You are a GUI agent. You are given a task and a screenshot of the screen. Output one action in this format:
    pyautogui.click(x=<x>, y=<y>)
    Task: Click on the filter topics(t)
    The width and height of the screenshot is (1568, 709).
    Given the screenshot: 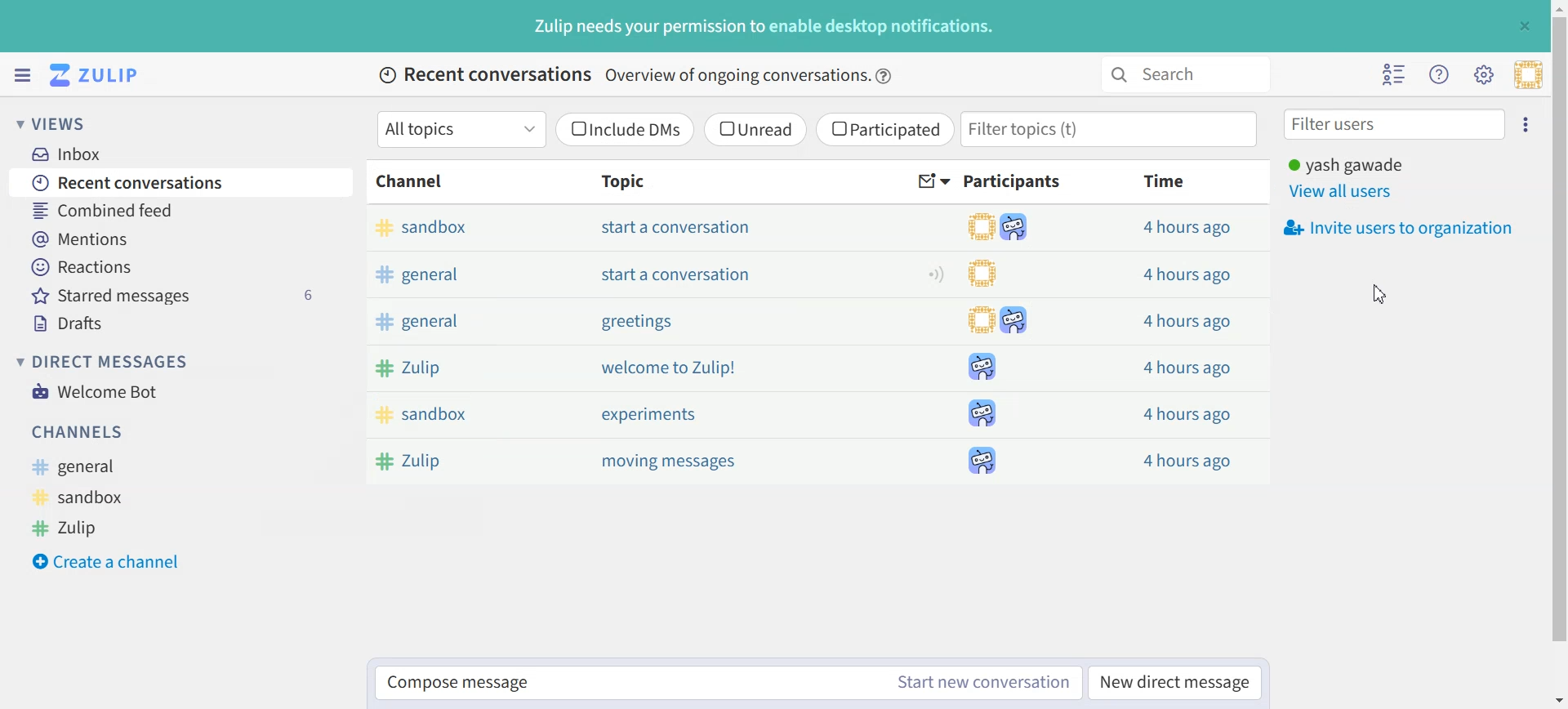 What is the action you would take?
    pyautogui.click(x=1111, y=129)
    